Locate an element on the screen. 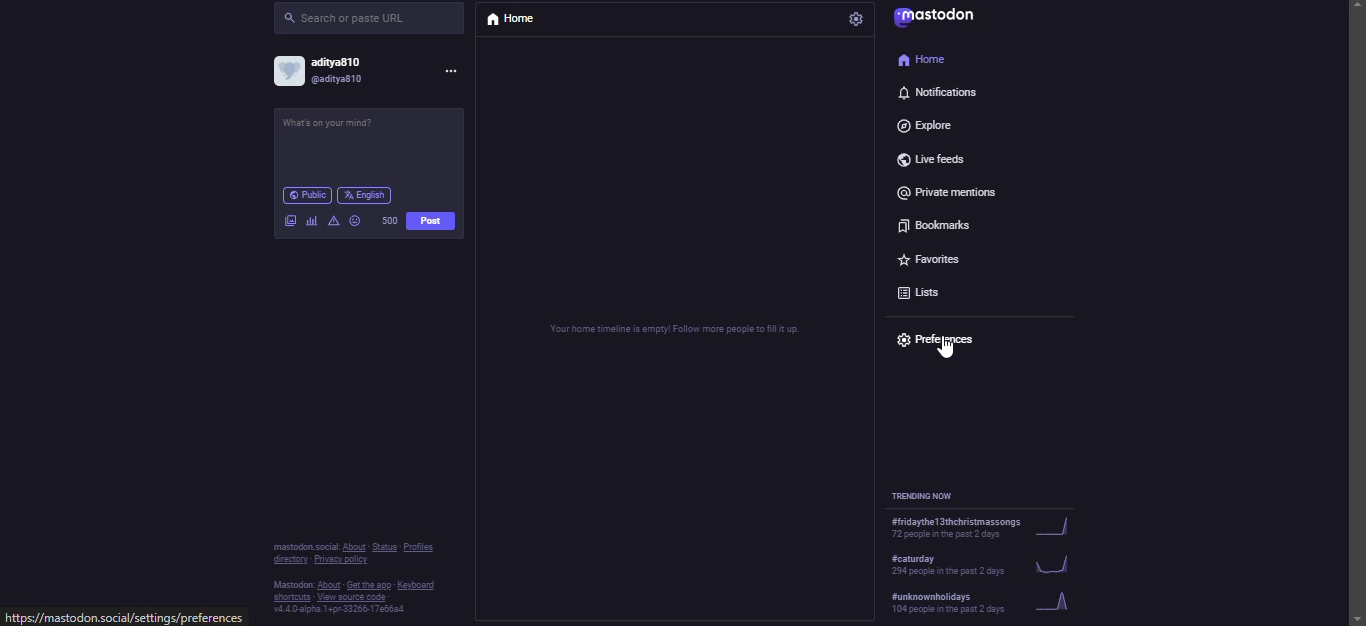 This screenshot has height=626, width=1366. post is located at coordinates (331, 126).